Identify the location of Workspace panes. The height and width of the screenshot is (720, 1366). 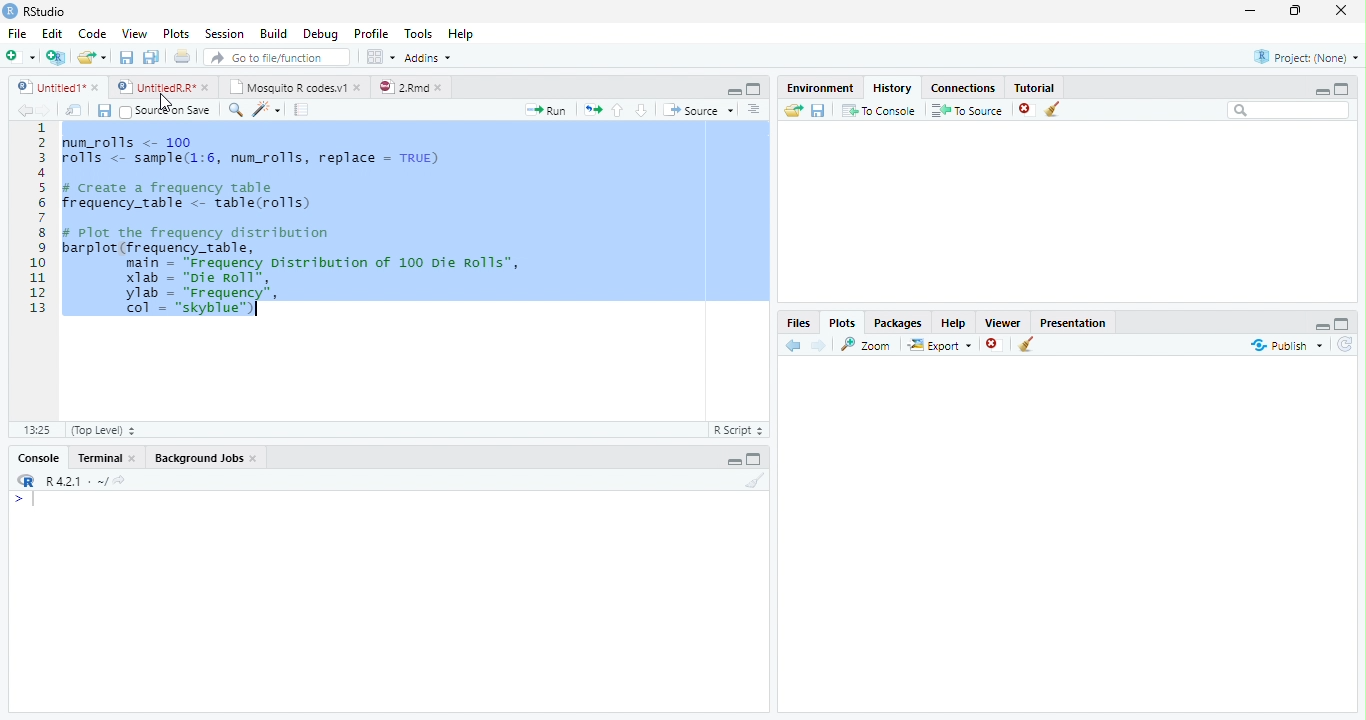
(379, 57).